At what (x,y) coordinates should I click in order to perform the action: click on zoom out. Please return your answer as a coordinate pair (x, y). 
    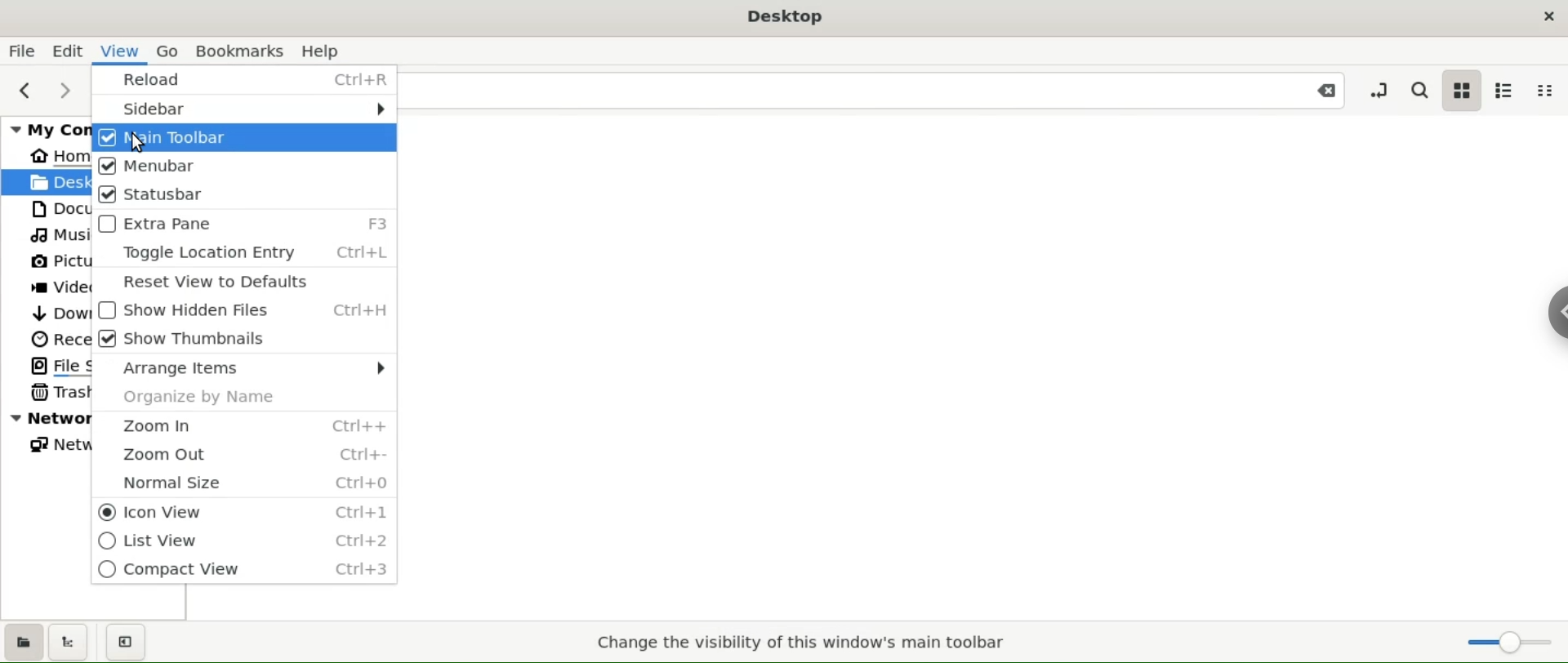
    Looking at the image, I should click on (243, 456).